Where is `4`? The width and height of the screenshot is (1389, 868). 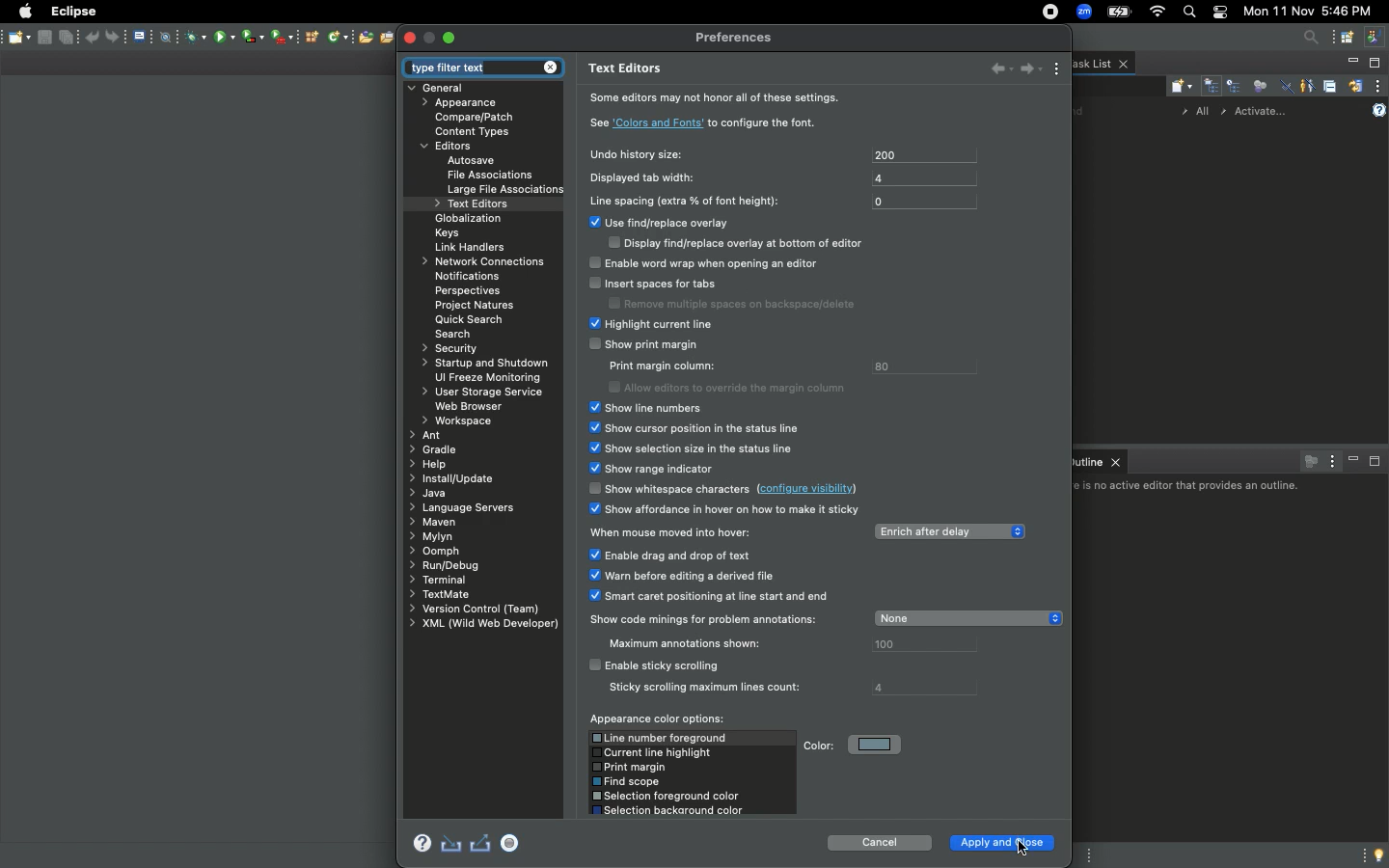
4 is located at coordinates (922, 177).